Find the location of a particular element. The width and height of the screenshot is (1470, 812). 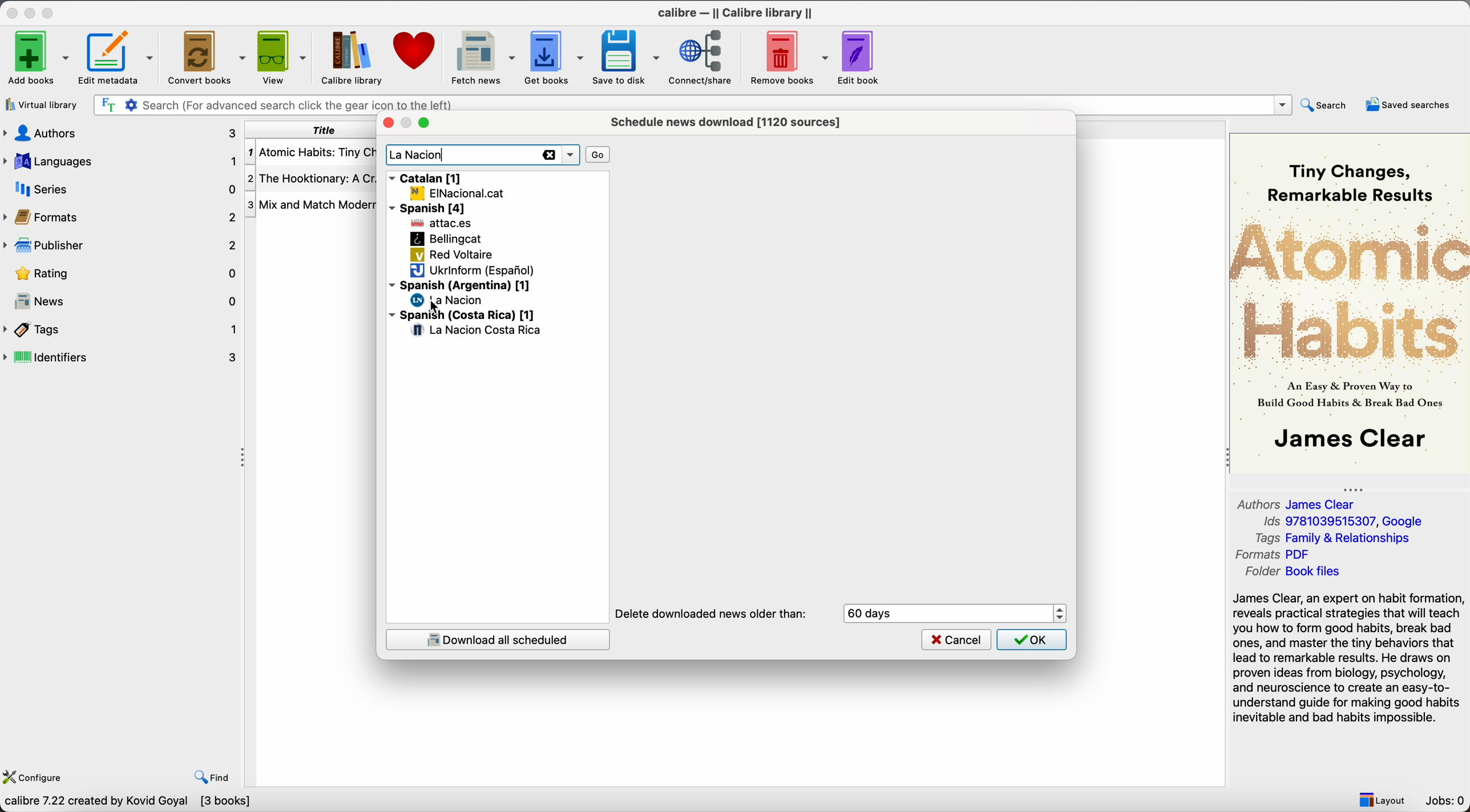

add books is located at coordinates (35, 56).